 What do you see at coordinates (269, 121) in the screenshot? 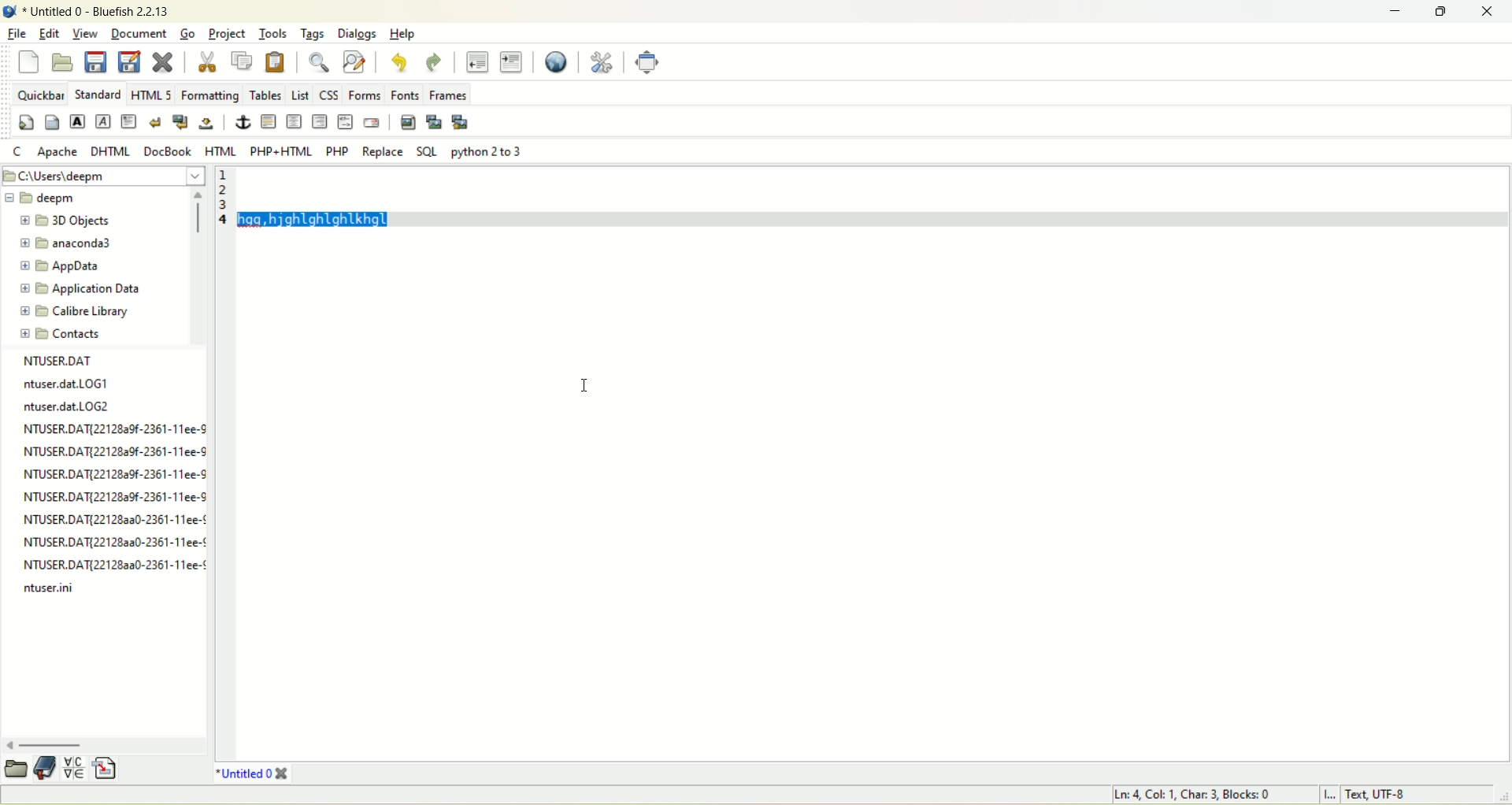
I see `horizontal rule` at bounding box center [269, 121].